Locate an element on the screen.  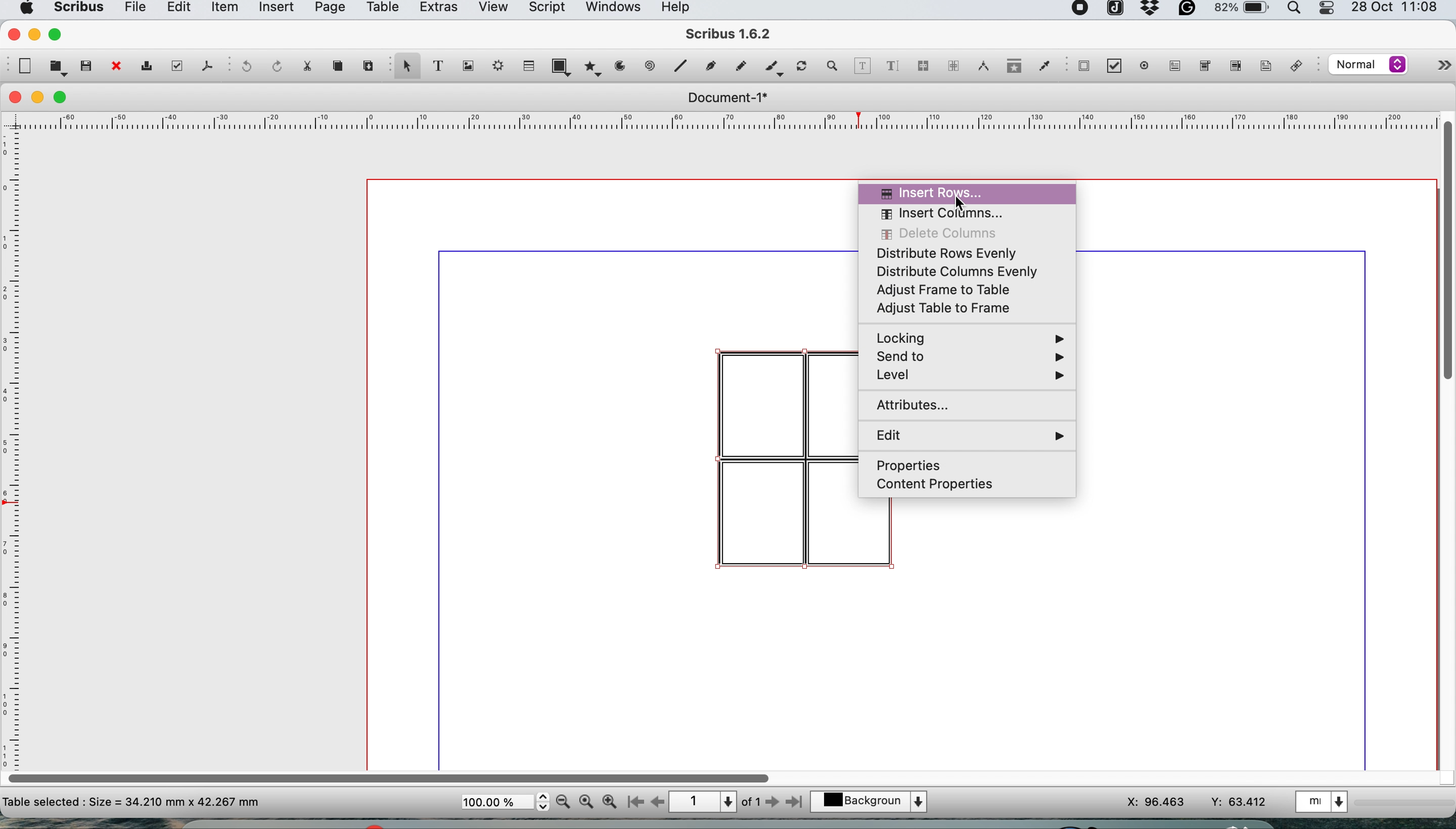
battery is located at coordinates (1240, 11).